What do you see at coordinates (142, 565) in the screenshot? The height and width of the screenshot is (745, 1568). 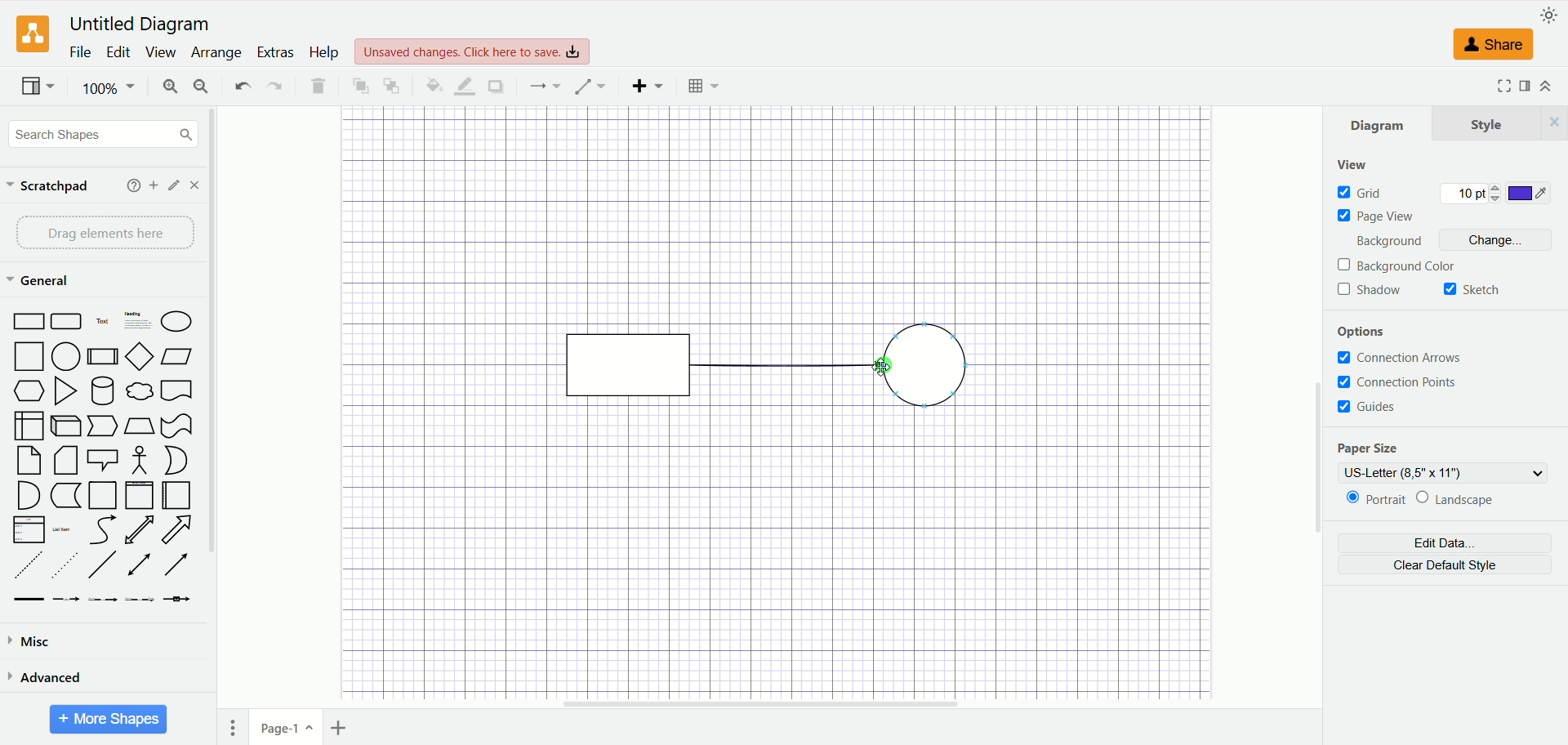 I see `Line with Two Arrows` at bounding box center [142, 565].